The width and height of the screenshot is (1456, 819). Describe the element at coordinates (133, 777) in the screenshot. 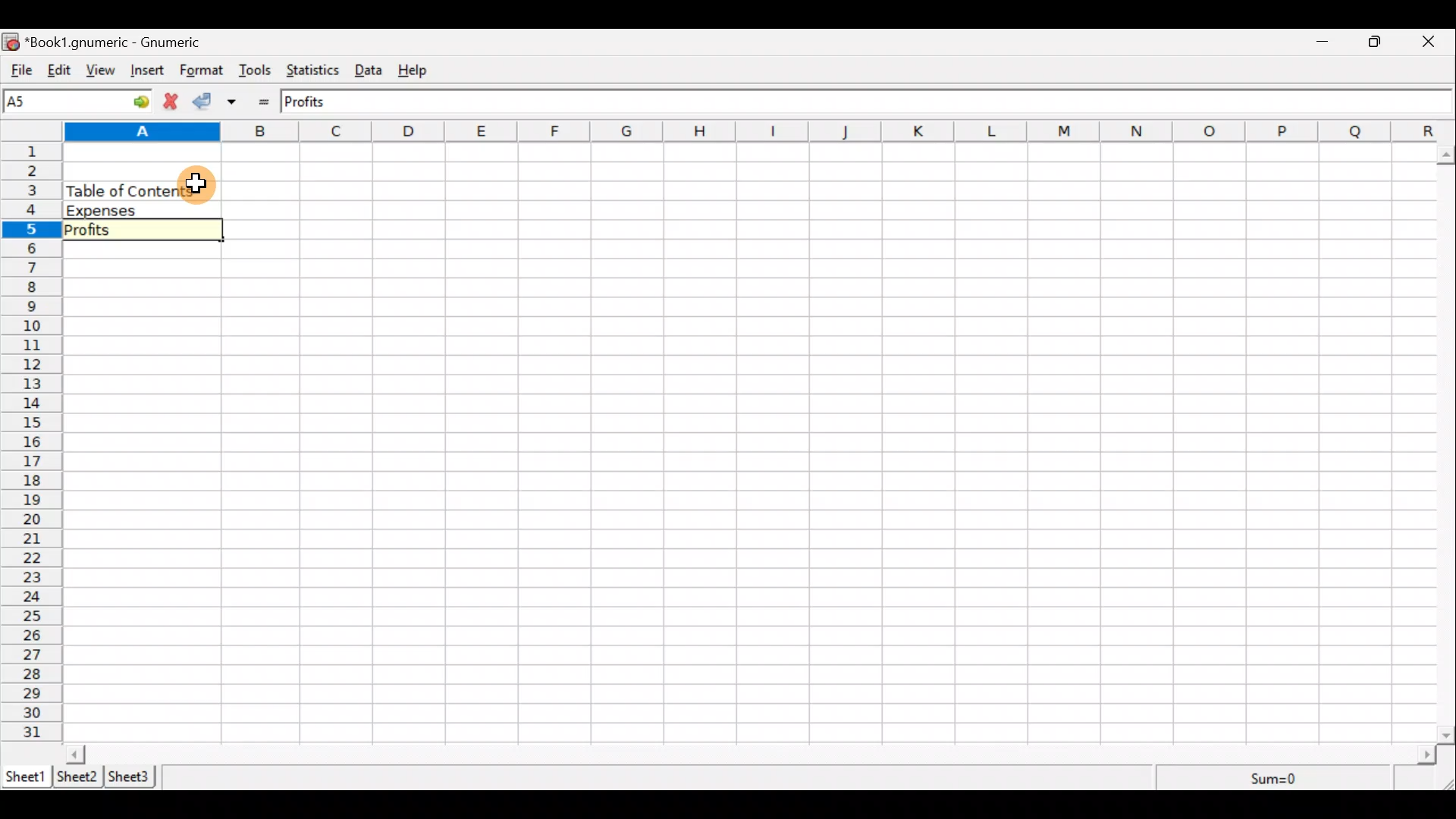

I see `Sheet 3` at that location.